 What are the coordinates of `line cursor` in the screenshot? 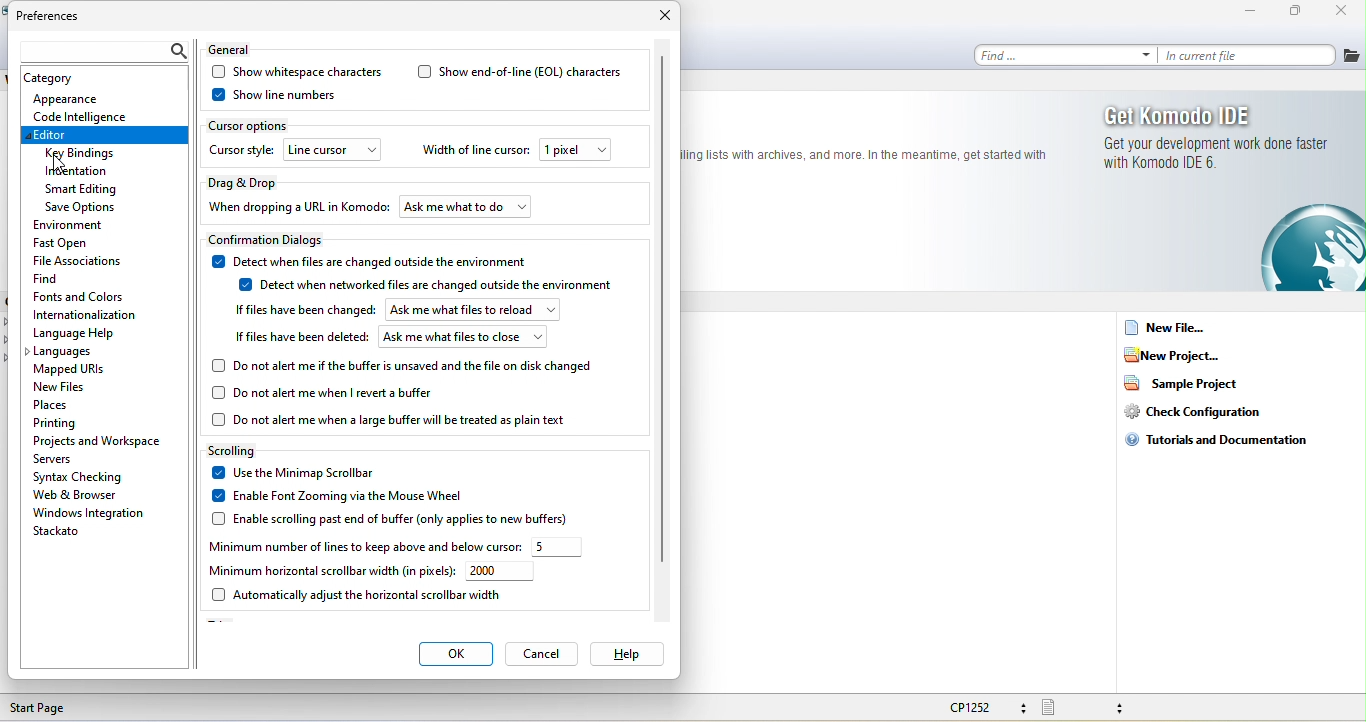 It's located at (333, 151).